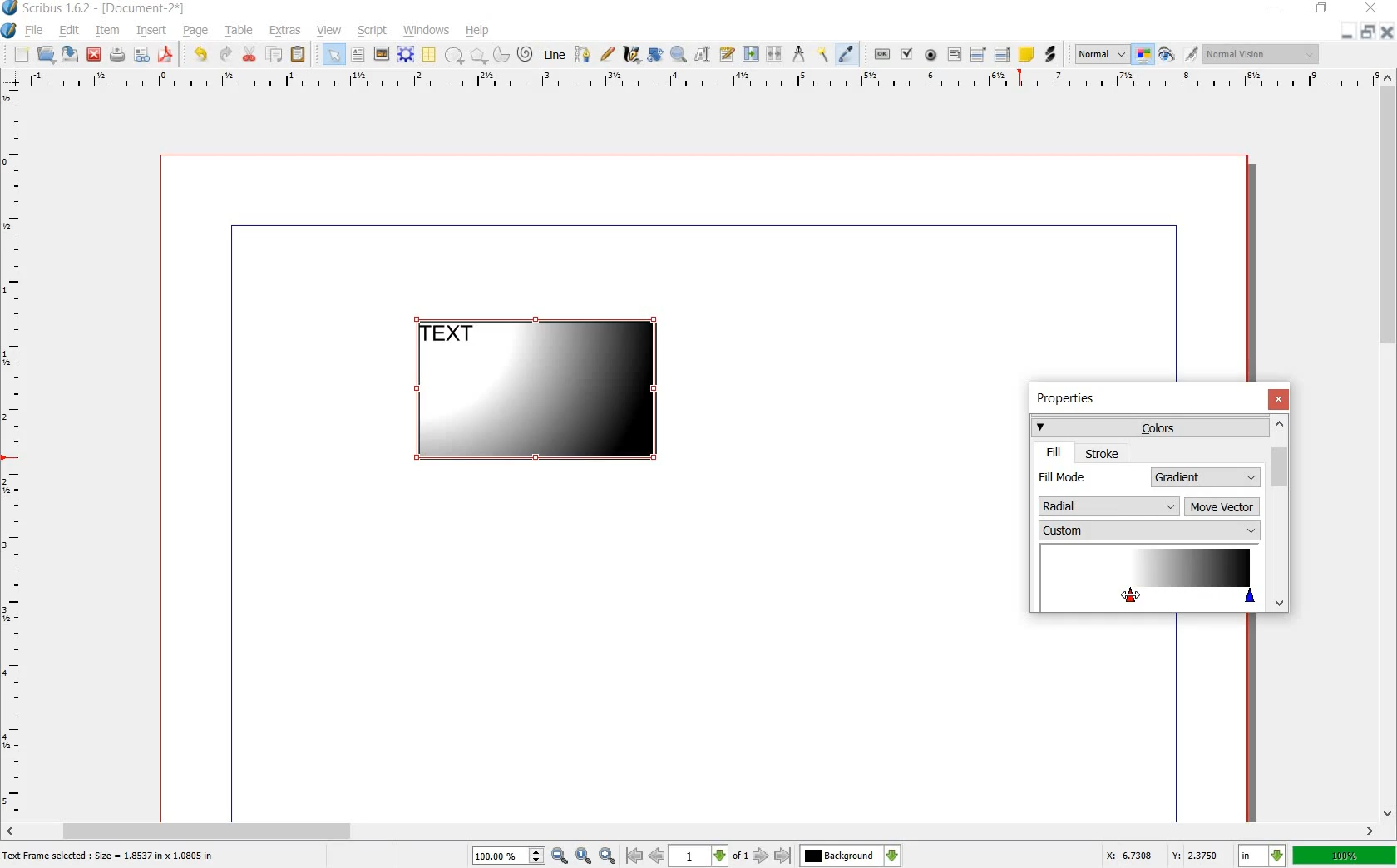 The width and height of the screenshot is (1397, 868). I want to click on of 1, so click(739, 857).